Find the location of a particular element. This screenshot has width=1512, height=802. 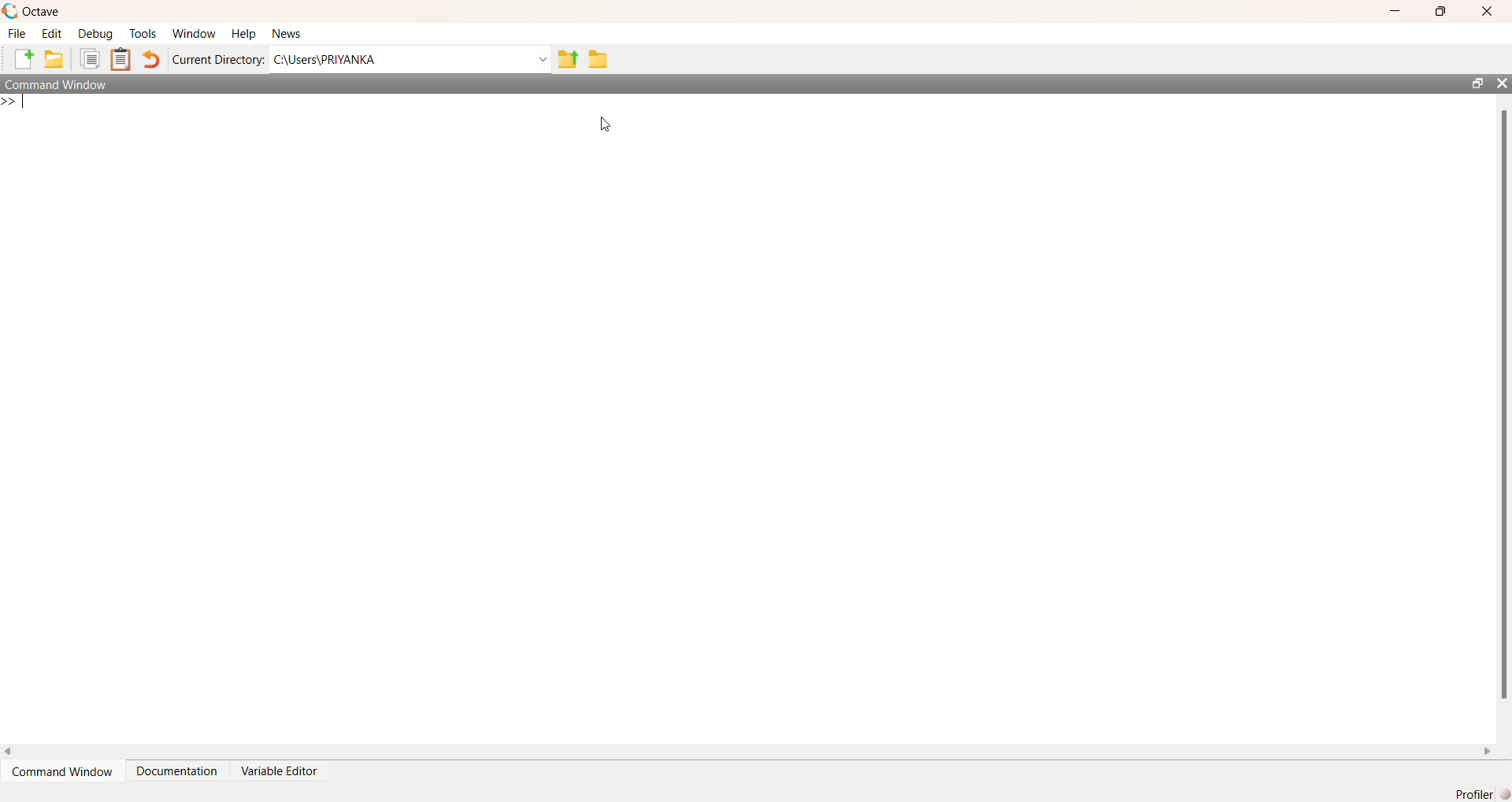

Edit is located at coordinates (51, 34).